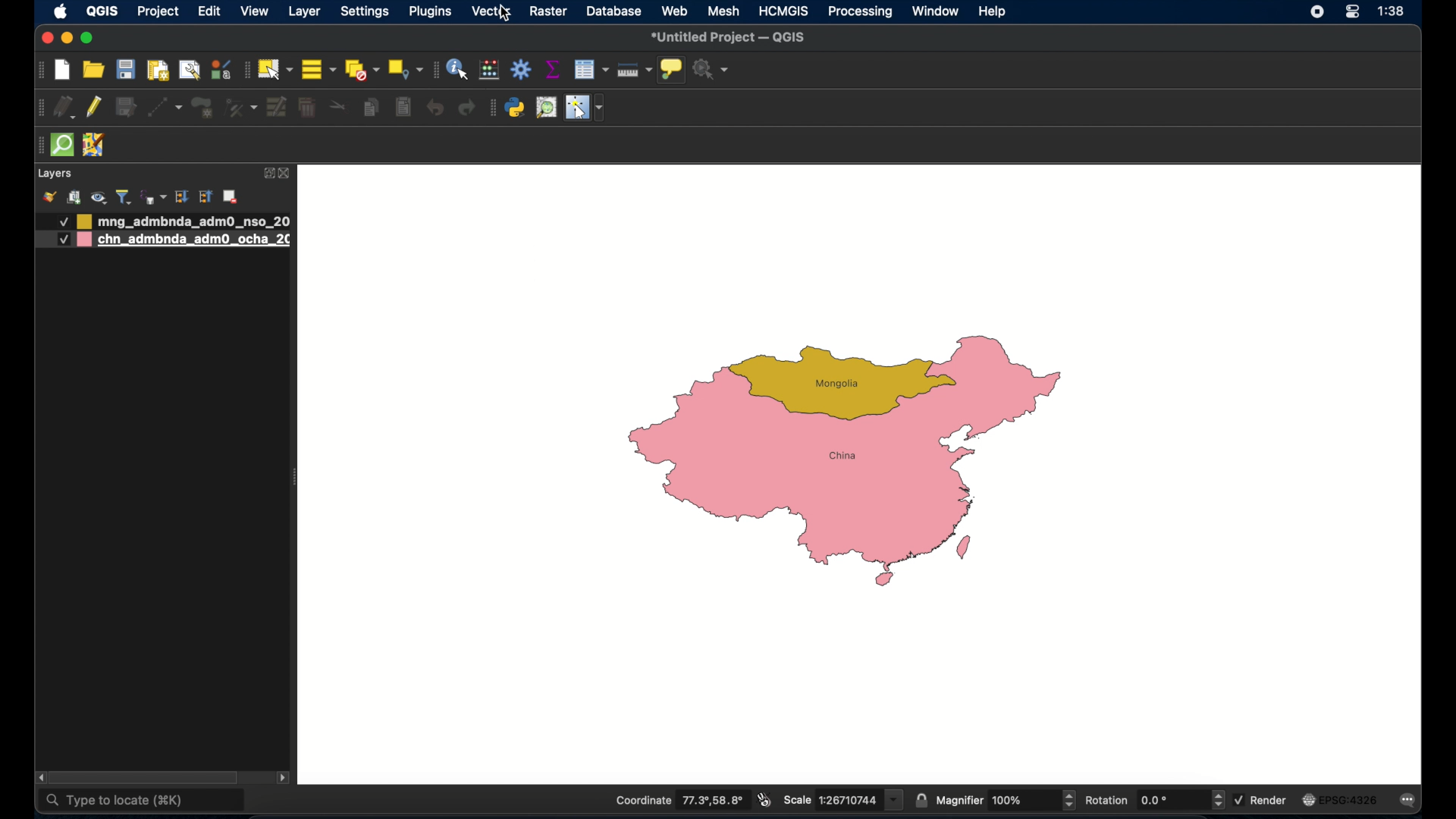 The width and height of the screenshot is (1456, 819). Describe the element at coordinates (275, 108) in the screenshot. I see `modify attributes` at that location.